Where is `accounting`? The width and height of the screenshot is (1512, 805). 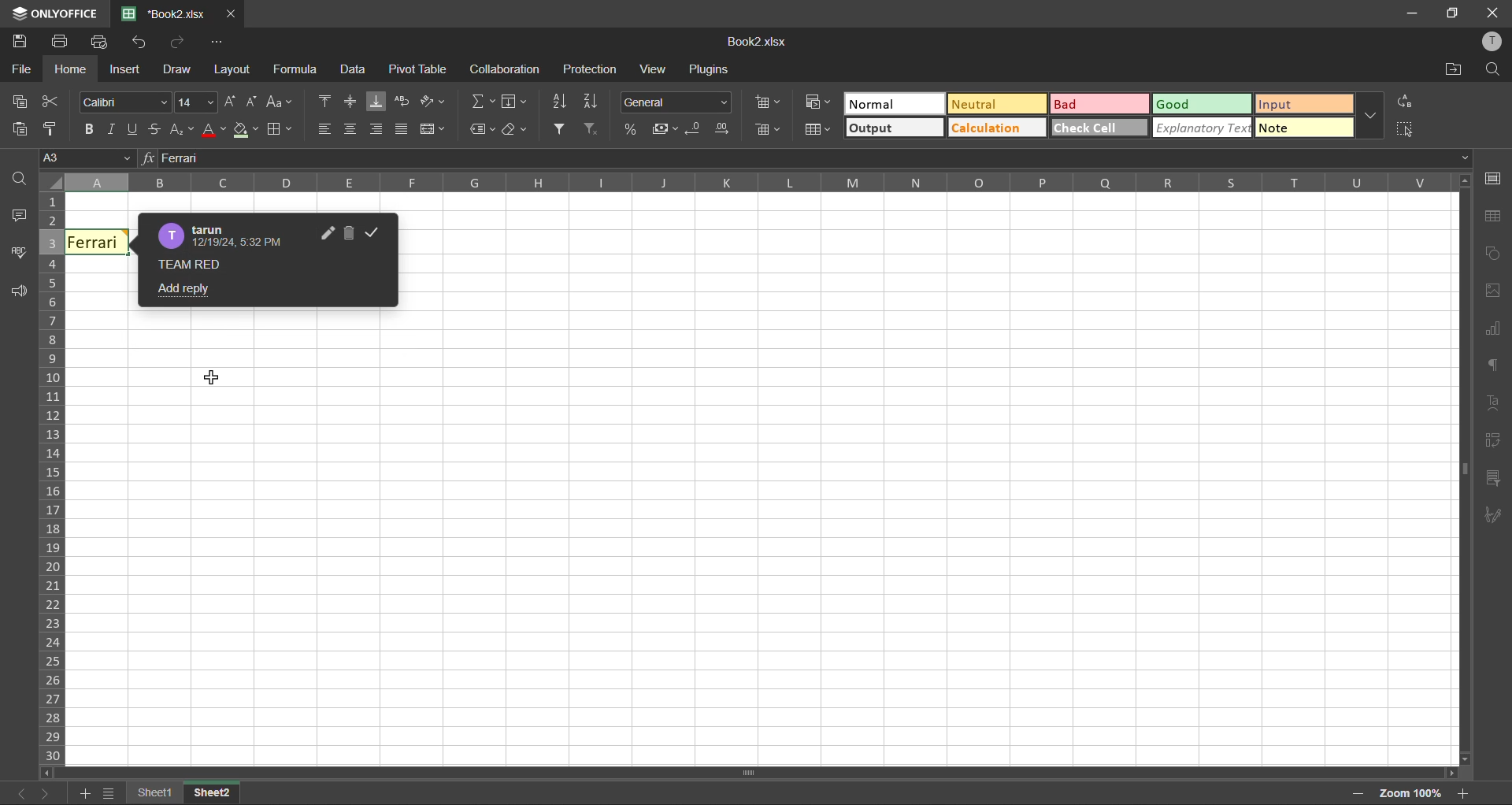
accounting is located at coordinates (664, 127).